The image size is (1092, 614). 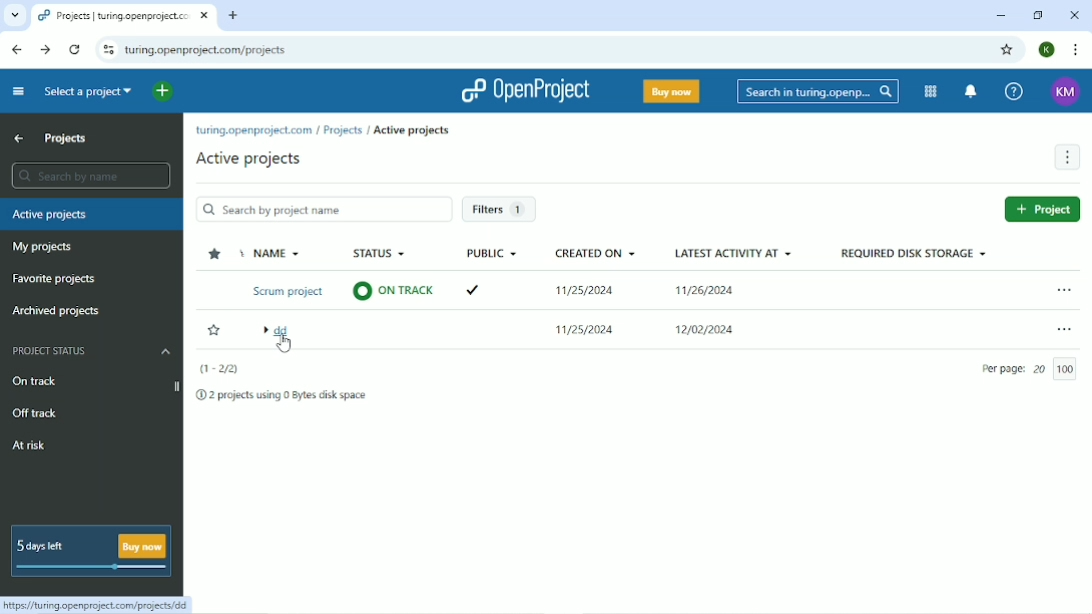 What do you see at coordinates (247, 159) in the screenshot?
I see `Active projects` at bounding box center [247, 159].